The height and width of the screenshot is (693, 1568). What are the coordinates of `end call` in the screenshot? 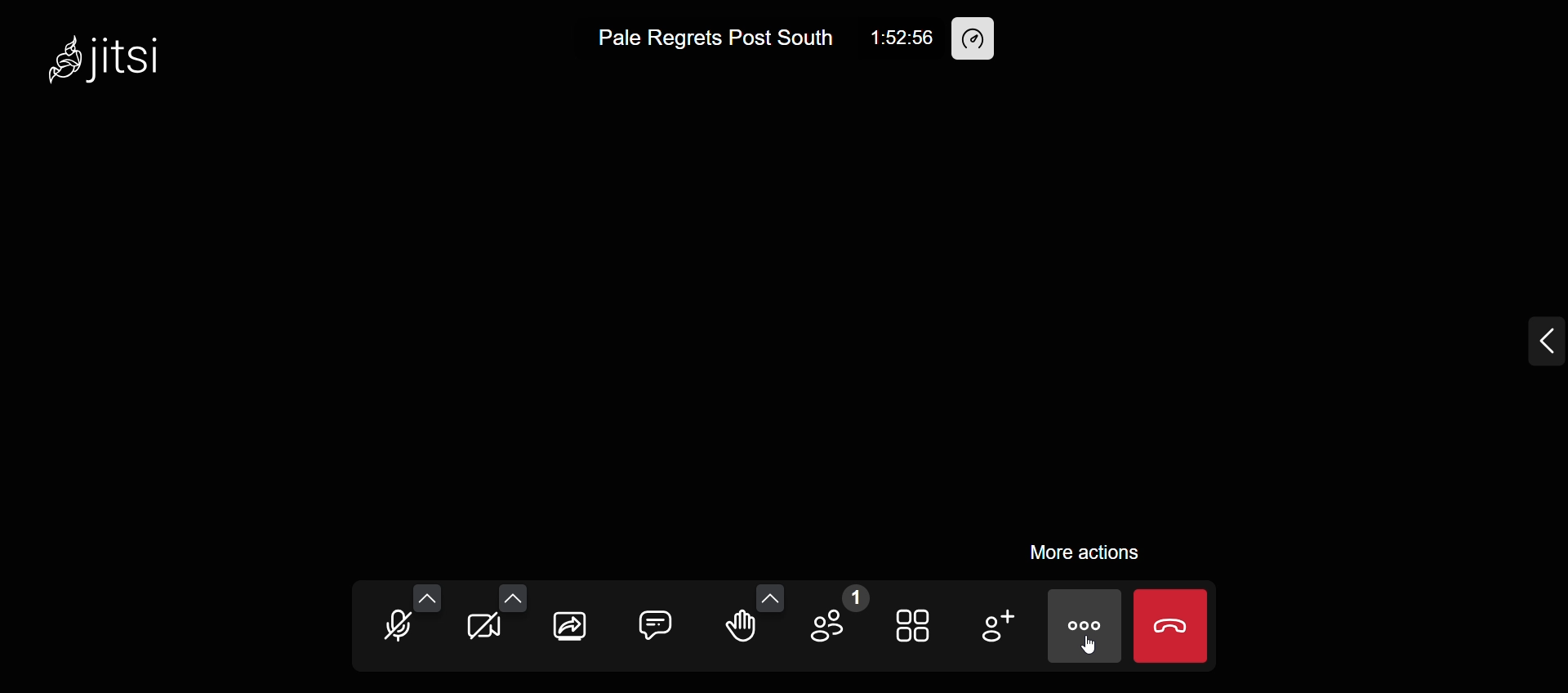 It's located at (1173, 626).